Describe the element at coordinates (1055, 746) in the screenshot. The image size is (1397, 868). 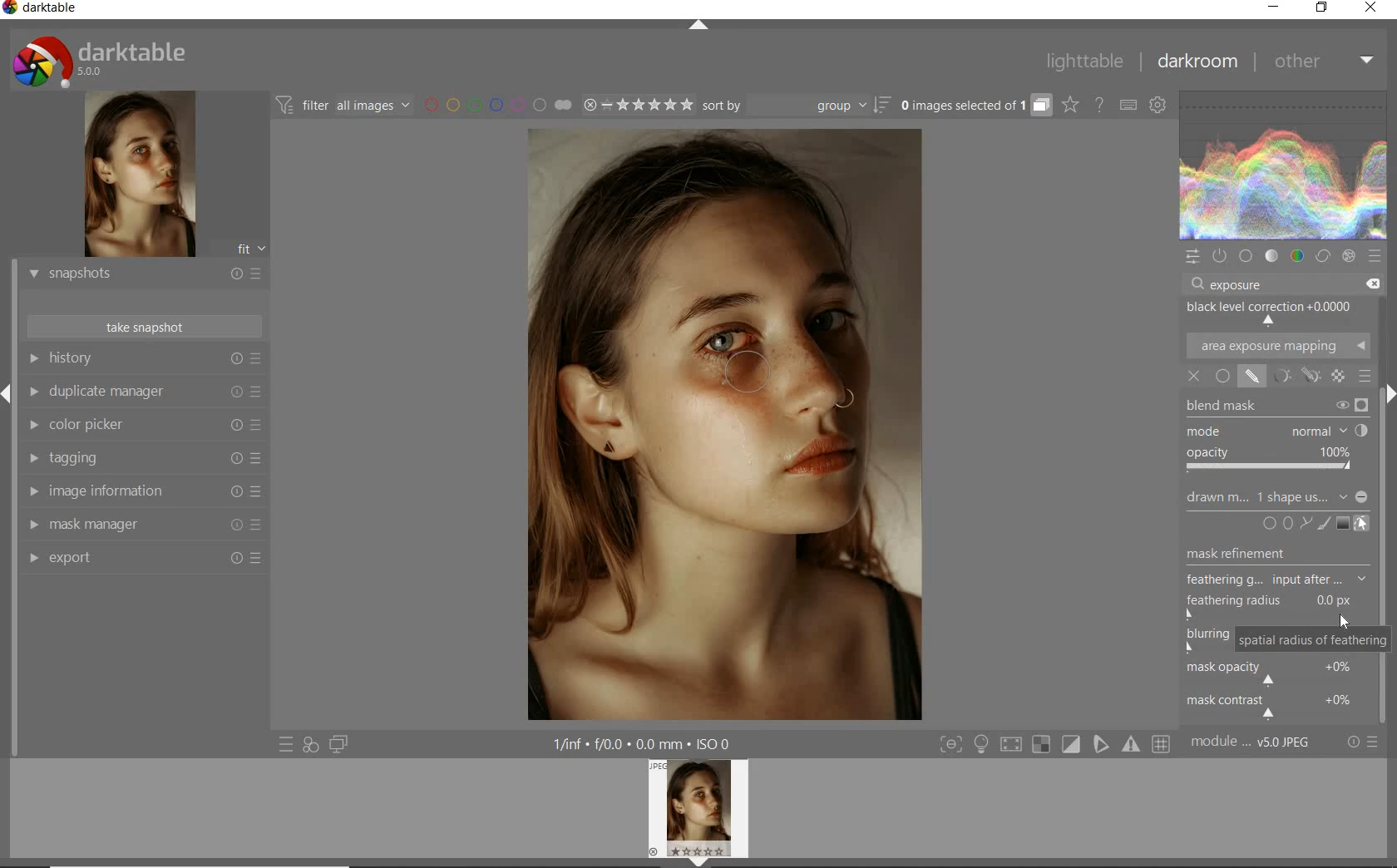
I see `toggle modes` at that location.